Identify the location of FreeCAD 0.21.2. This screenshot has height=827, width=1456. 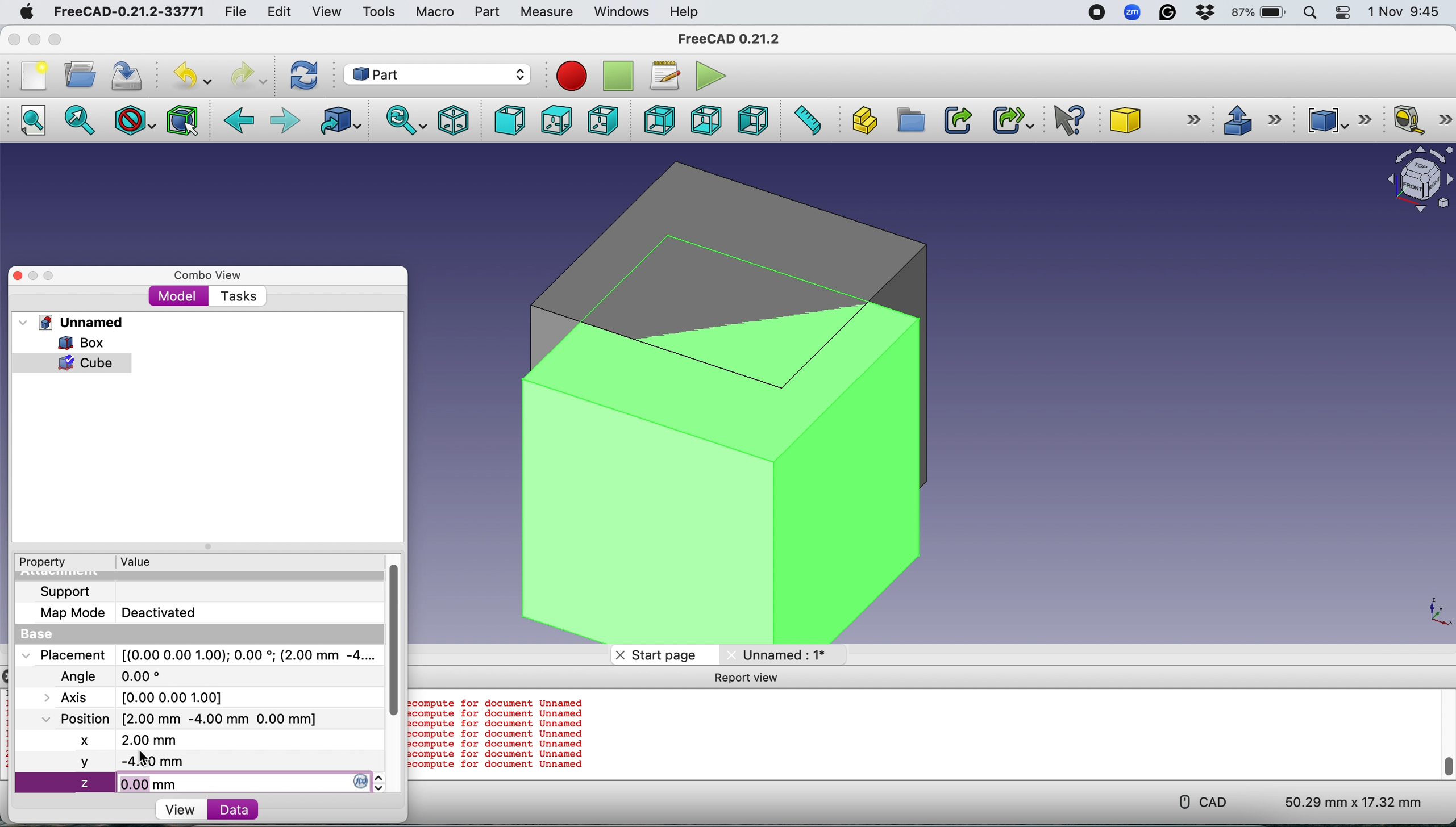
(731, 40).